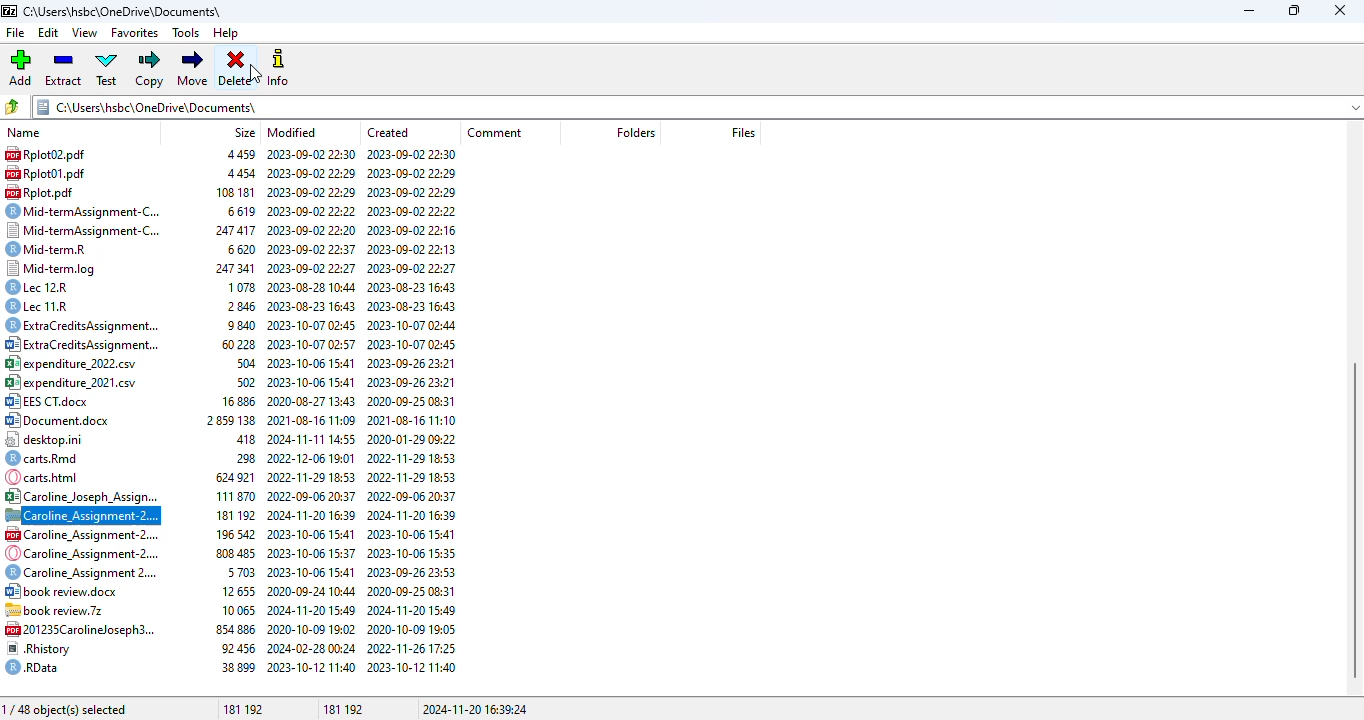  I want to click on 2023-09-02 22:29, so click(310, 192).